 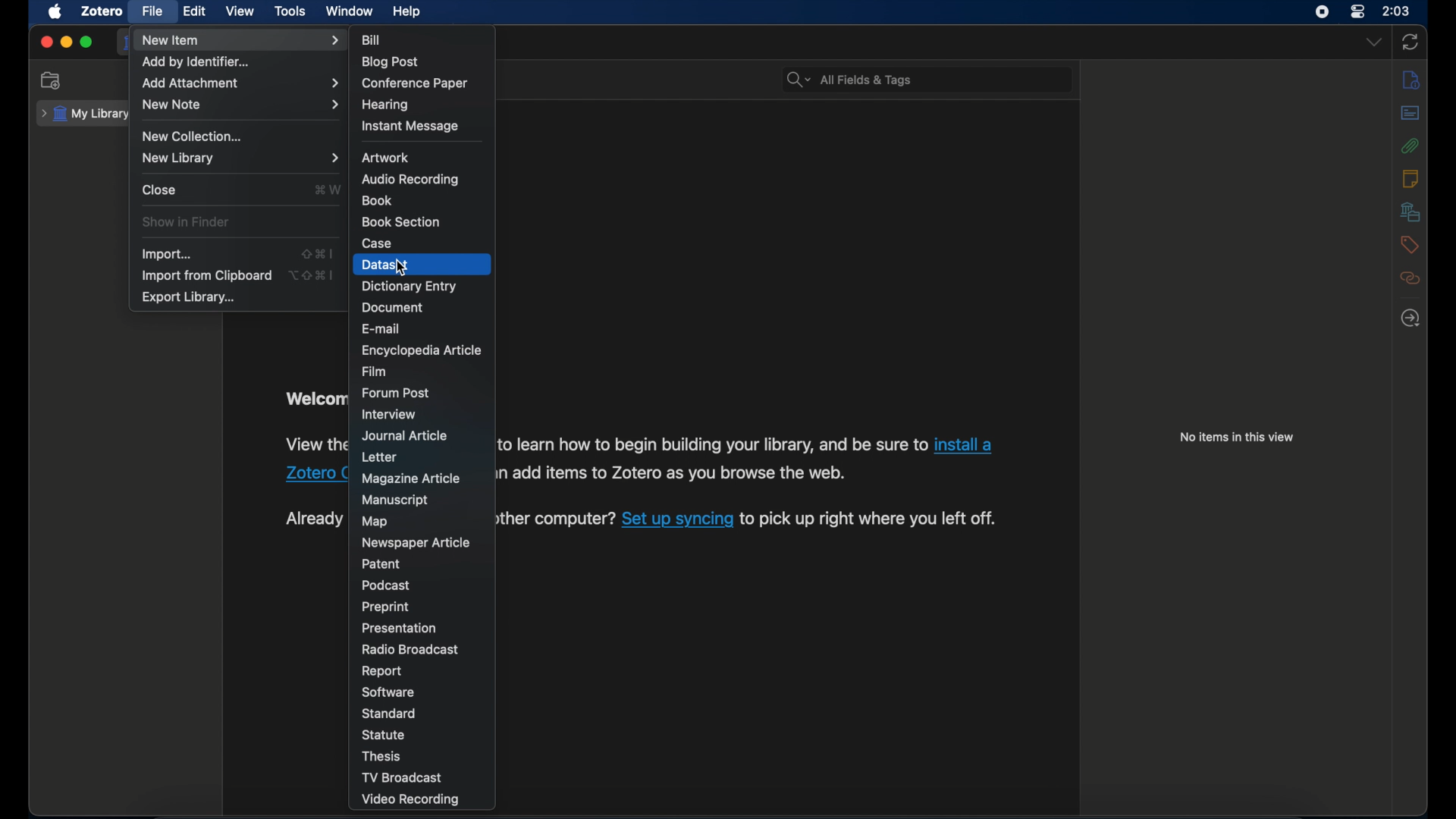 I want to click on interview, so click(x=388, y=414).